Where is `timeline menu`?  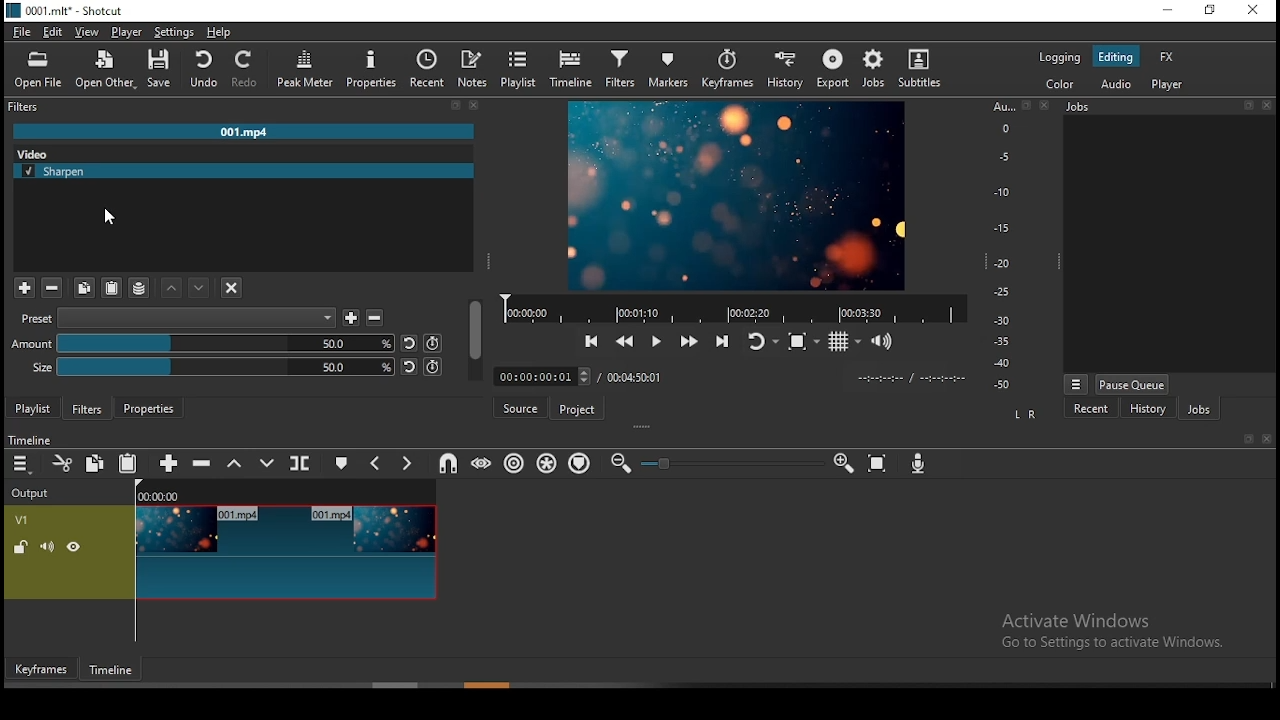
timeline menu is located at coordinates (22, 463).